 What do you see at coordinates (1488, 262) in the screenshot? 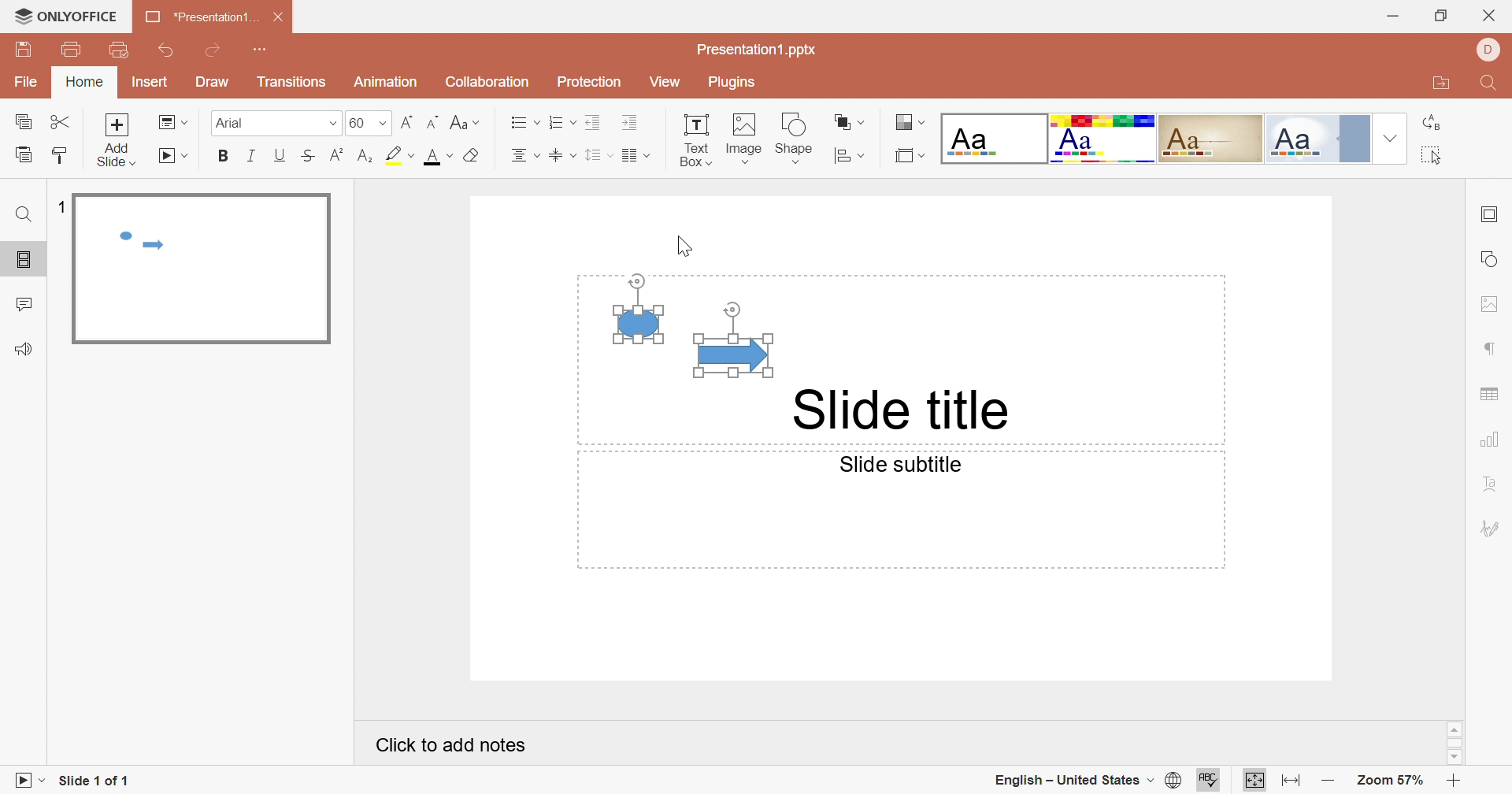
I see `shape settings` at bounding box center [1488, 262].